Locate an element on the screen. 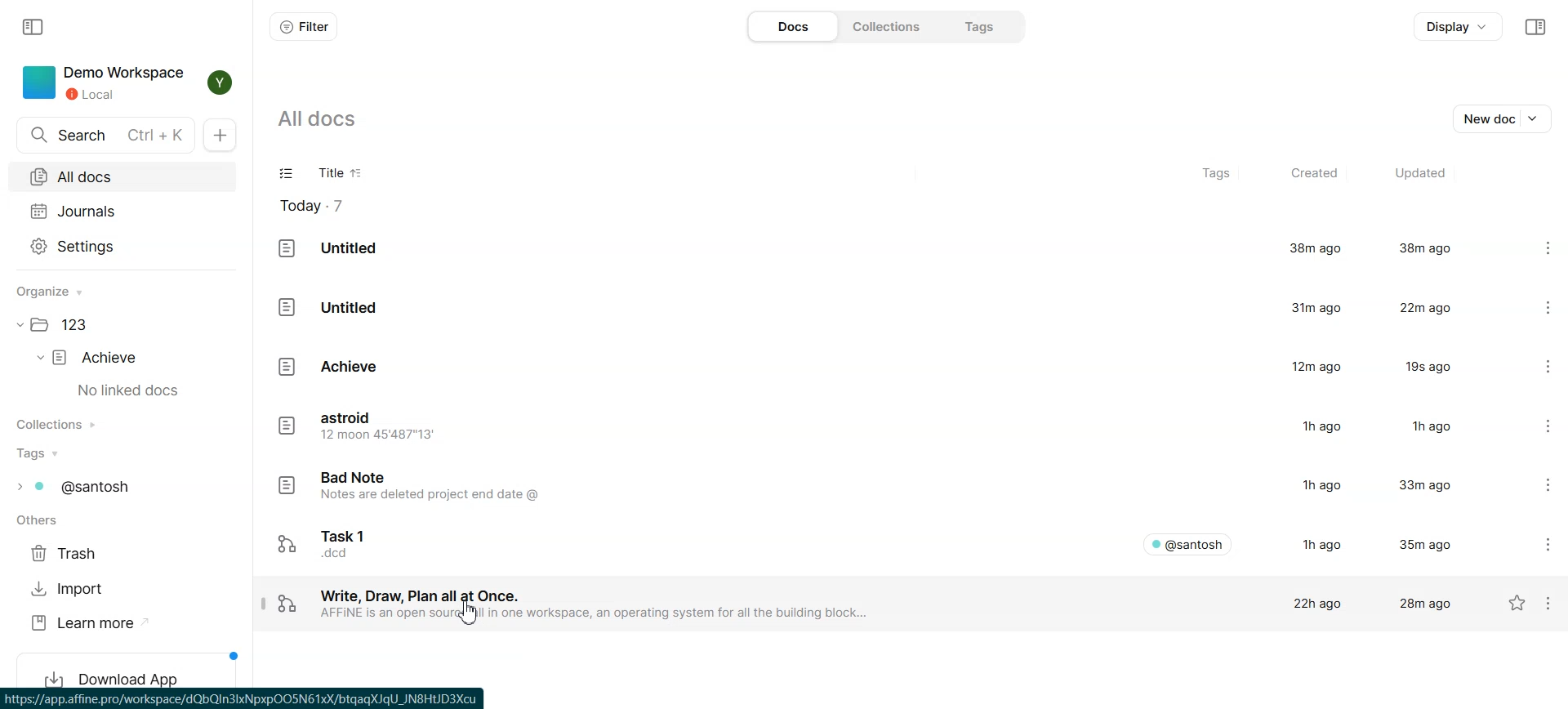 This screenshot has height=709, width=1568. Demo workspace is located at coordinates (102, 82).